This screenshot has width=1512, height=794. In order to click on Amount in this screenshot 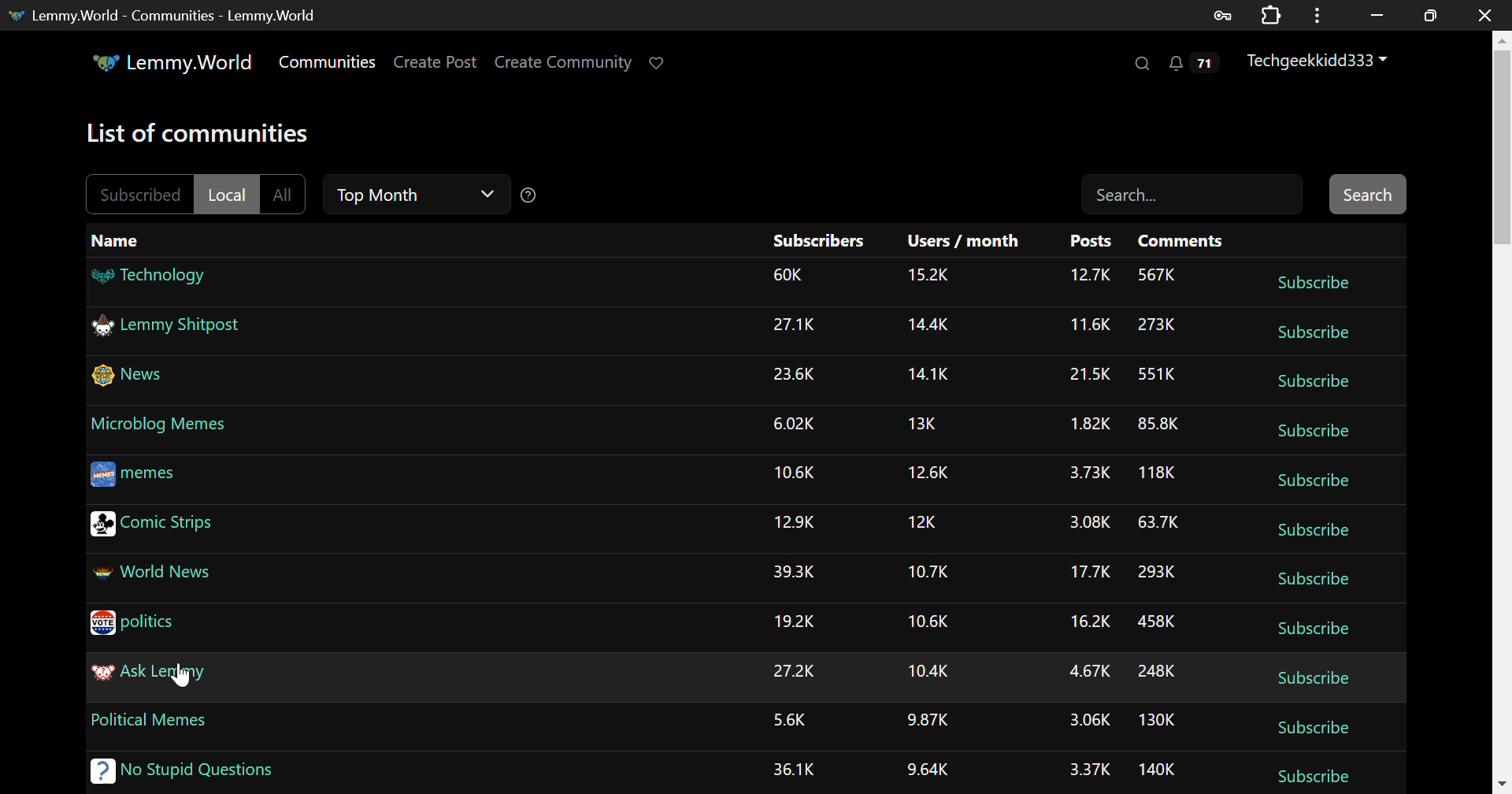, I will do `click(1082, 622)`.